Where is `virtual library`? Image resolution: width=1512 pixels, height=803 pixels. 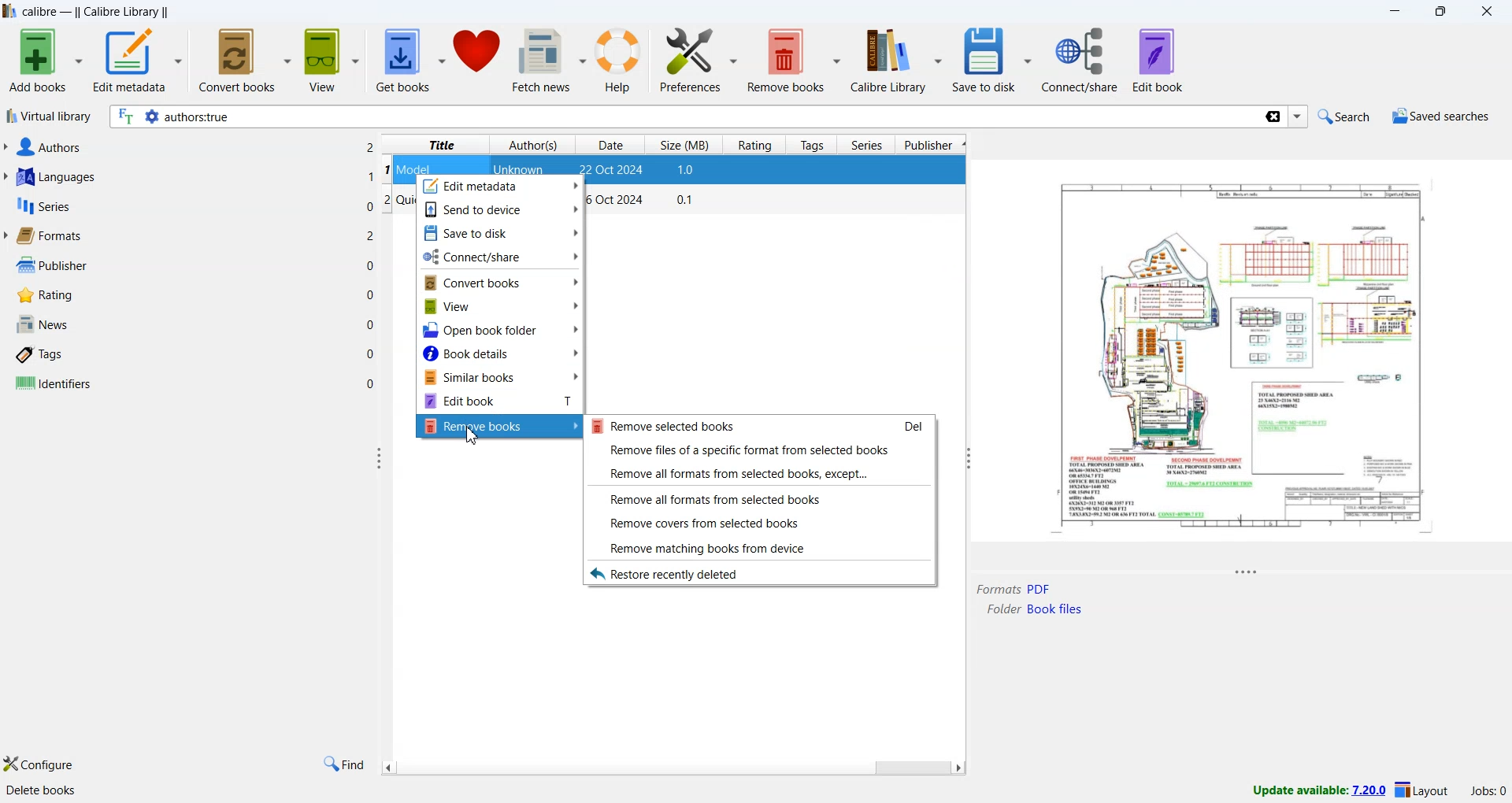
virtual library is located at coordinates (48, 118).